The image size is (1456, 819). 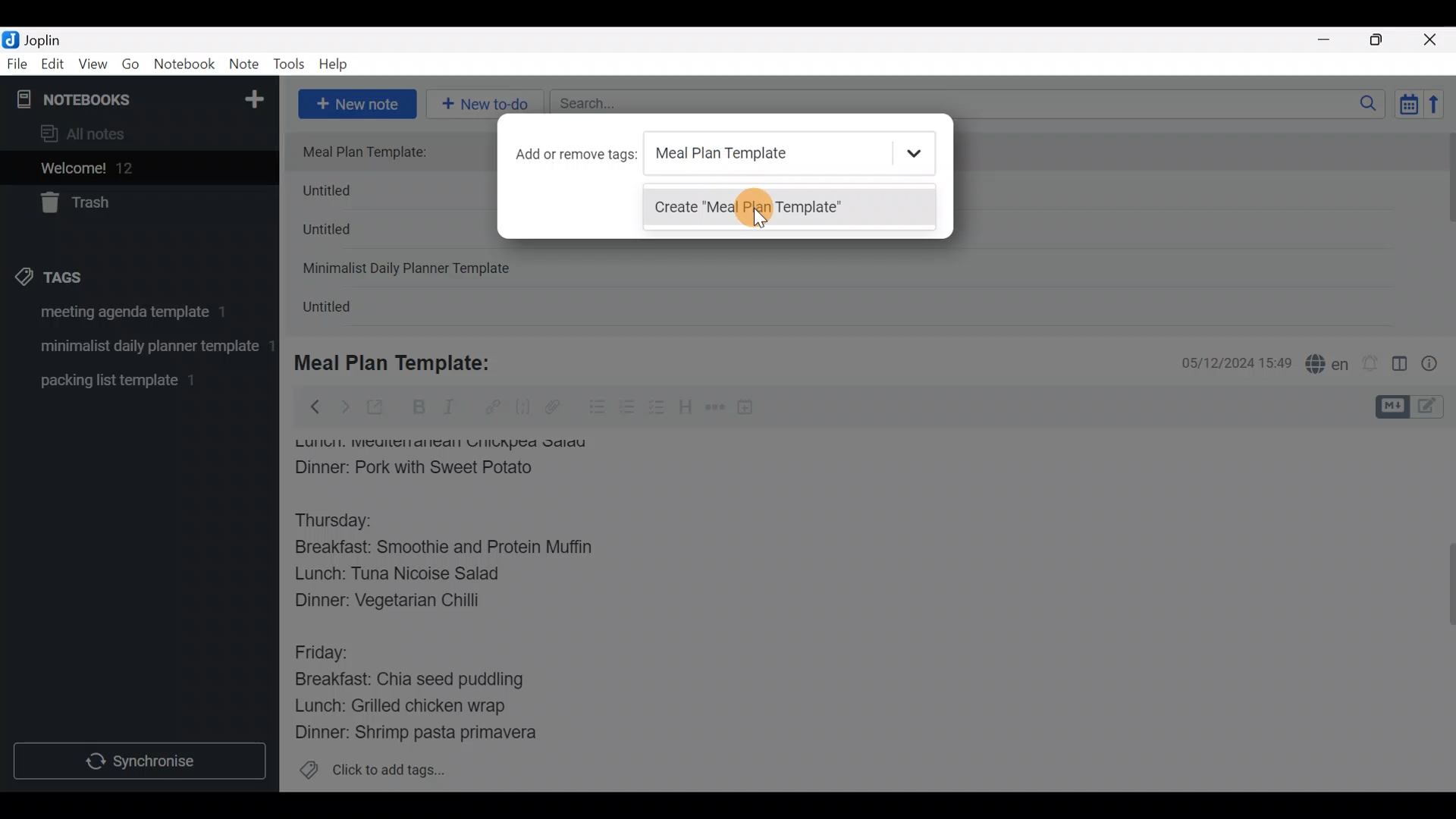 What do you see at coordinates (444, 551) in the screenshot?
I see `Breakfast: Smoothie and Protein Muffin` at bounding box center [444, 551].